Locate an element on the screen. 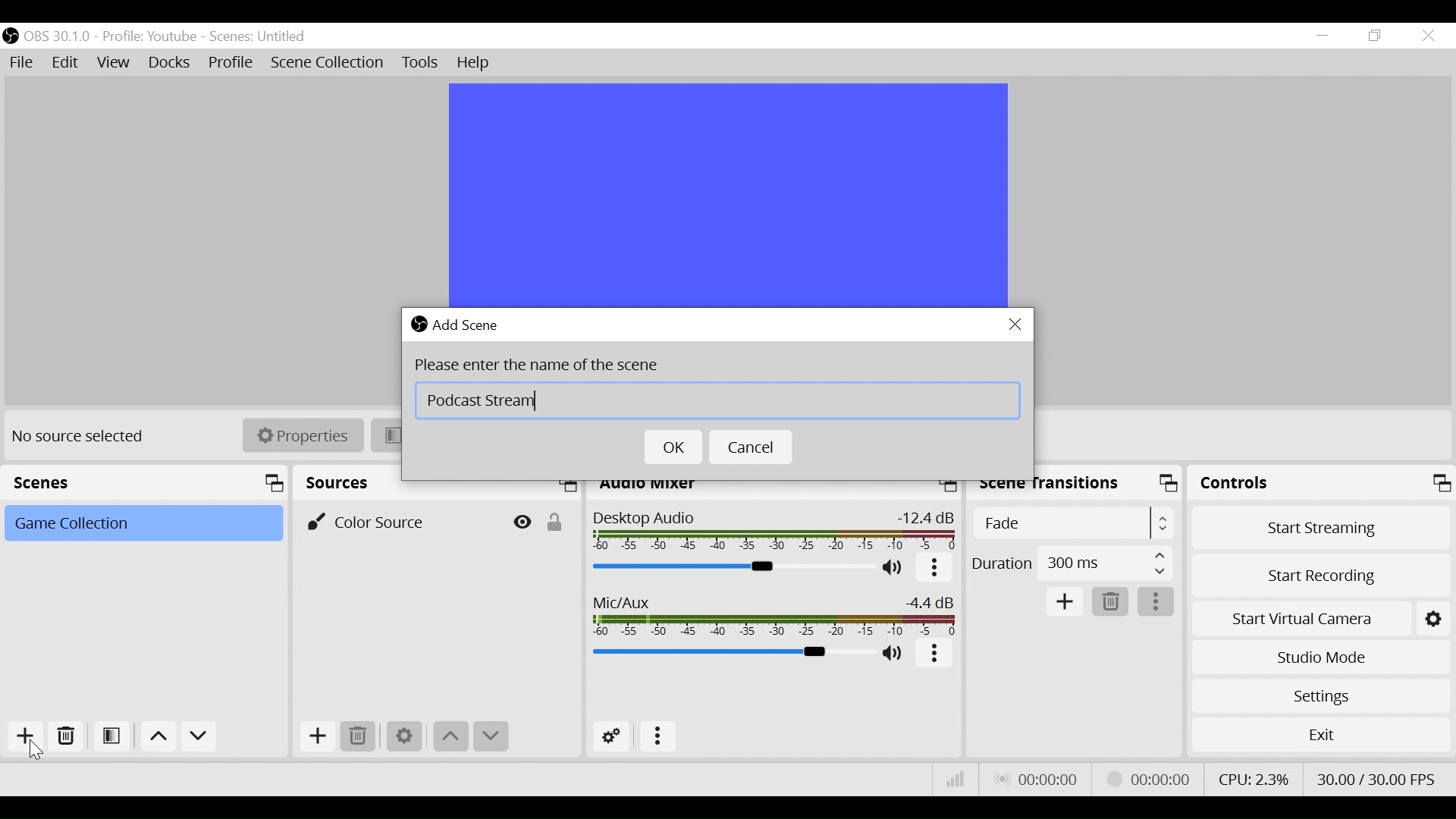  OBS Desktop Icon is located at coordinates (10, 36).